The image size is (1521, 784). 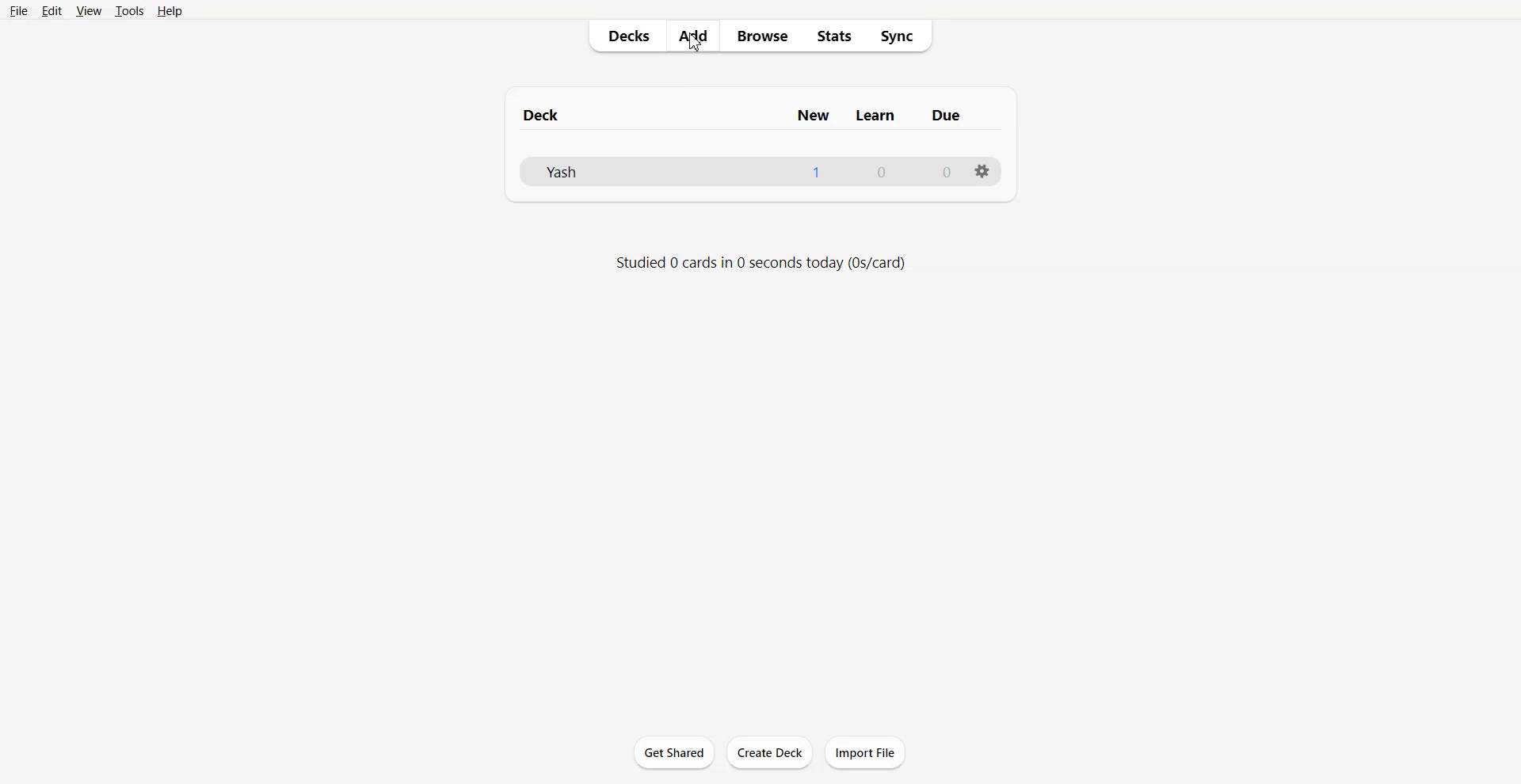 I want to click on 0, so click(x=945, y=172).